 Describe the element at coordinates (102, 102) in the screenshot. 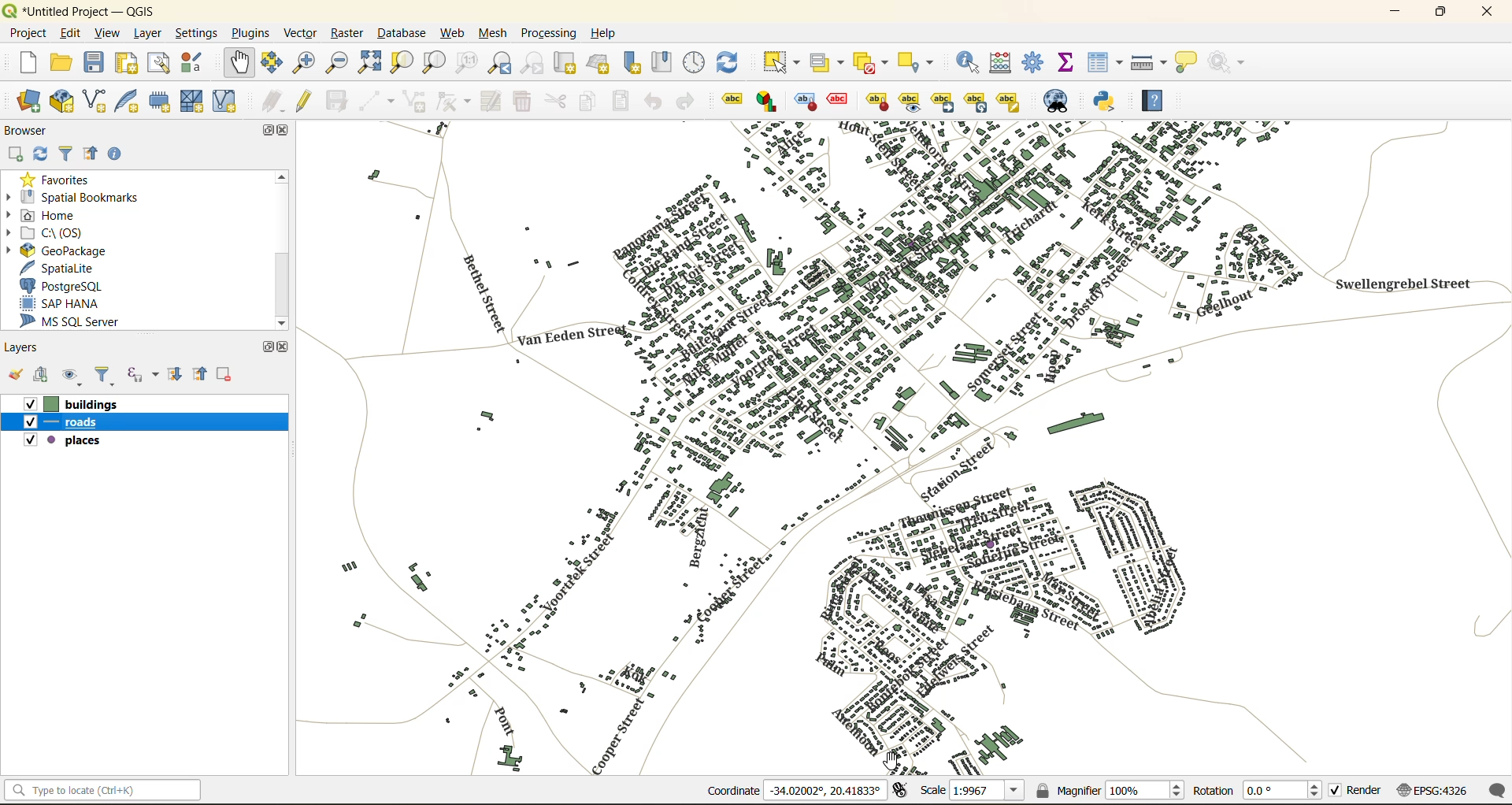

I see `new shapefile layer` at that location.